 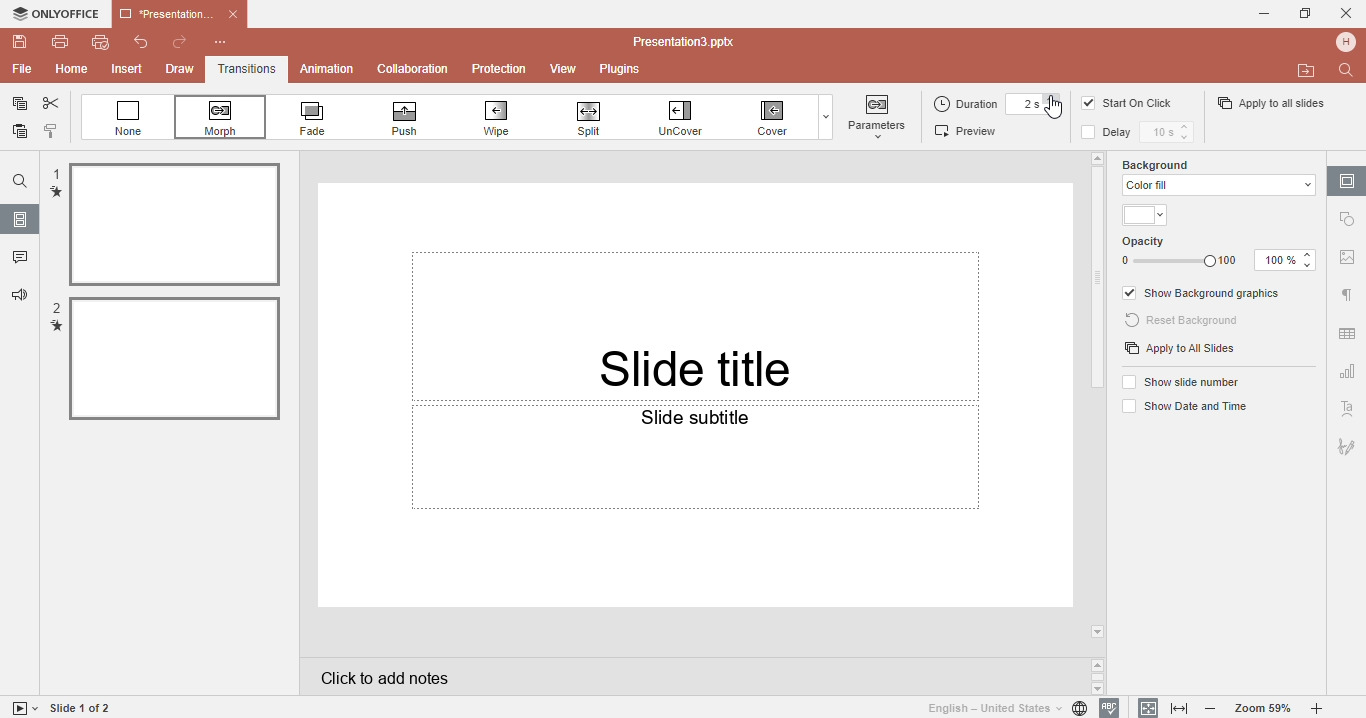 I want to click on Document name, so click(x=178, y=12).